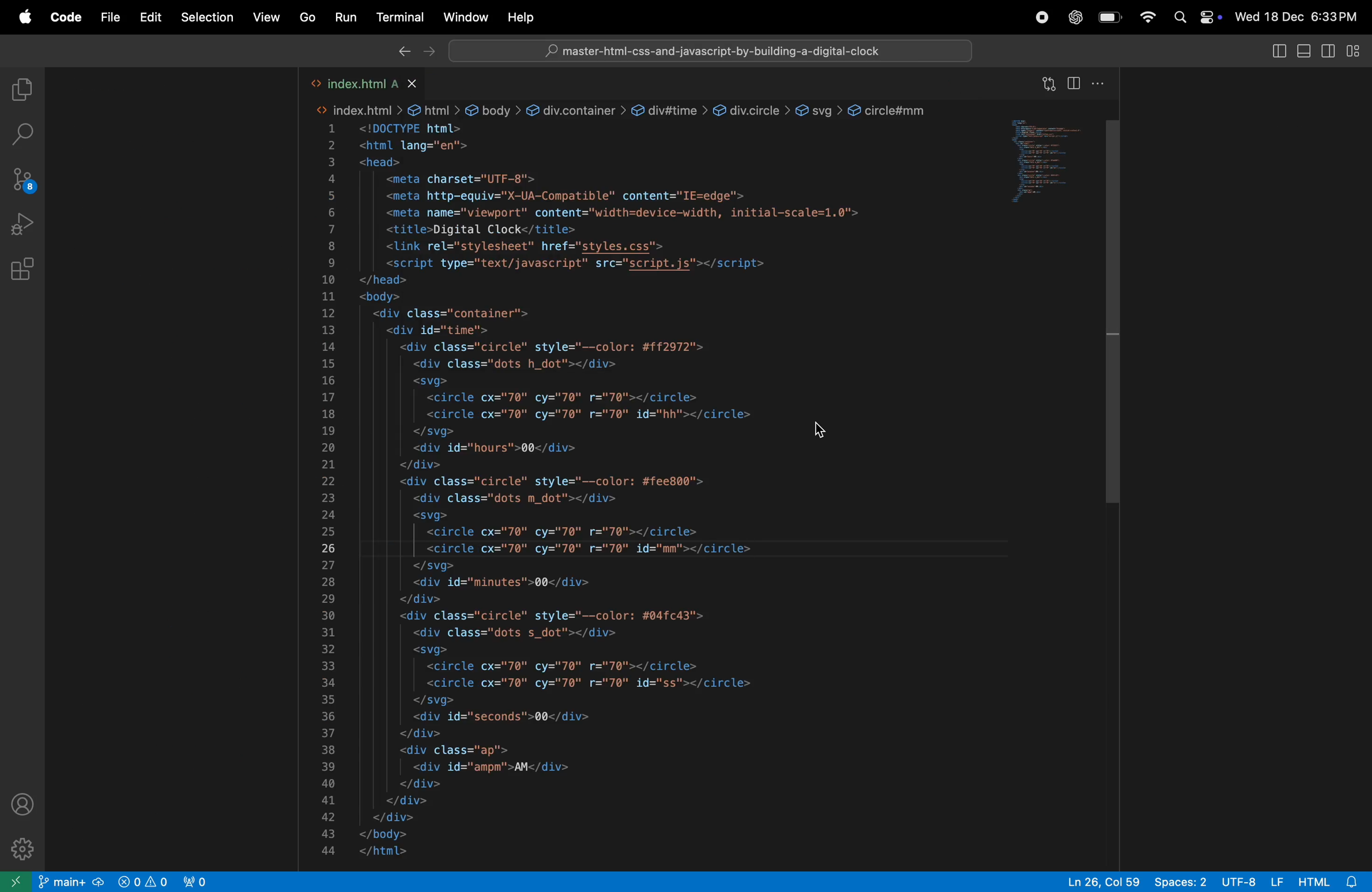 The image size is (1372, 892). Describe the element at coordinates (25, 175) in the screenshot. I see `source control` at that location.